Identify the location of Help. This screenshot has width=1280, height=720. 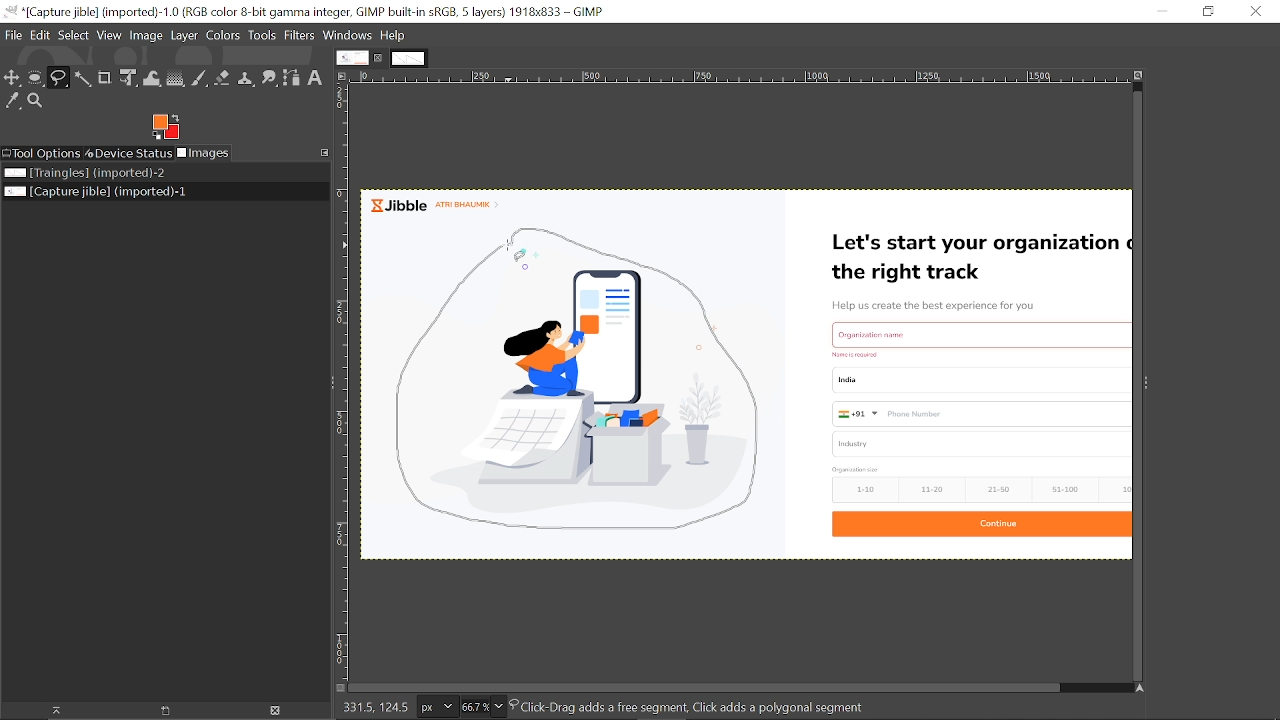
(393, 36).